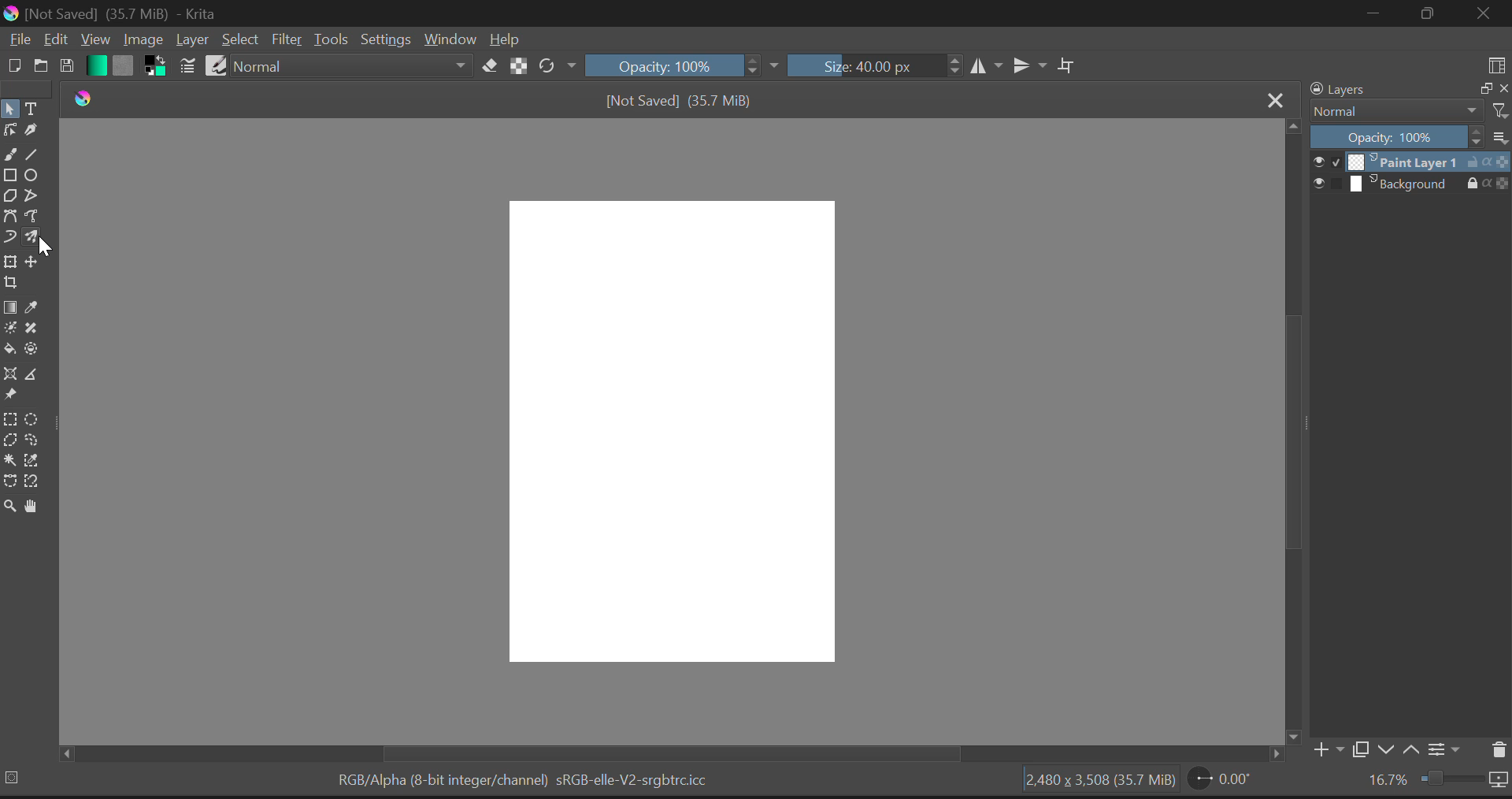 The height and width of the screenshot is (799, 1512). I want to click on Gradient Fill, so click(11, 307).